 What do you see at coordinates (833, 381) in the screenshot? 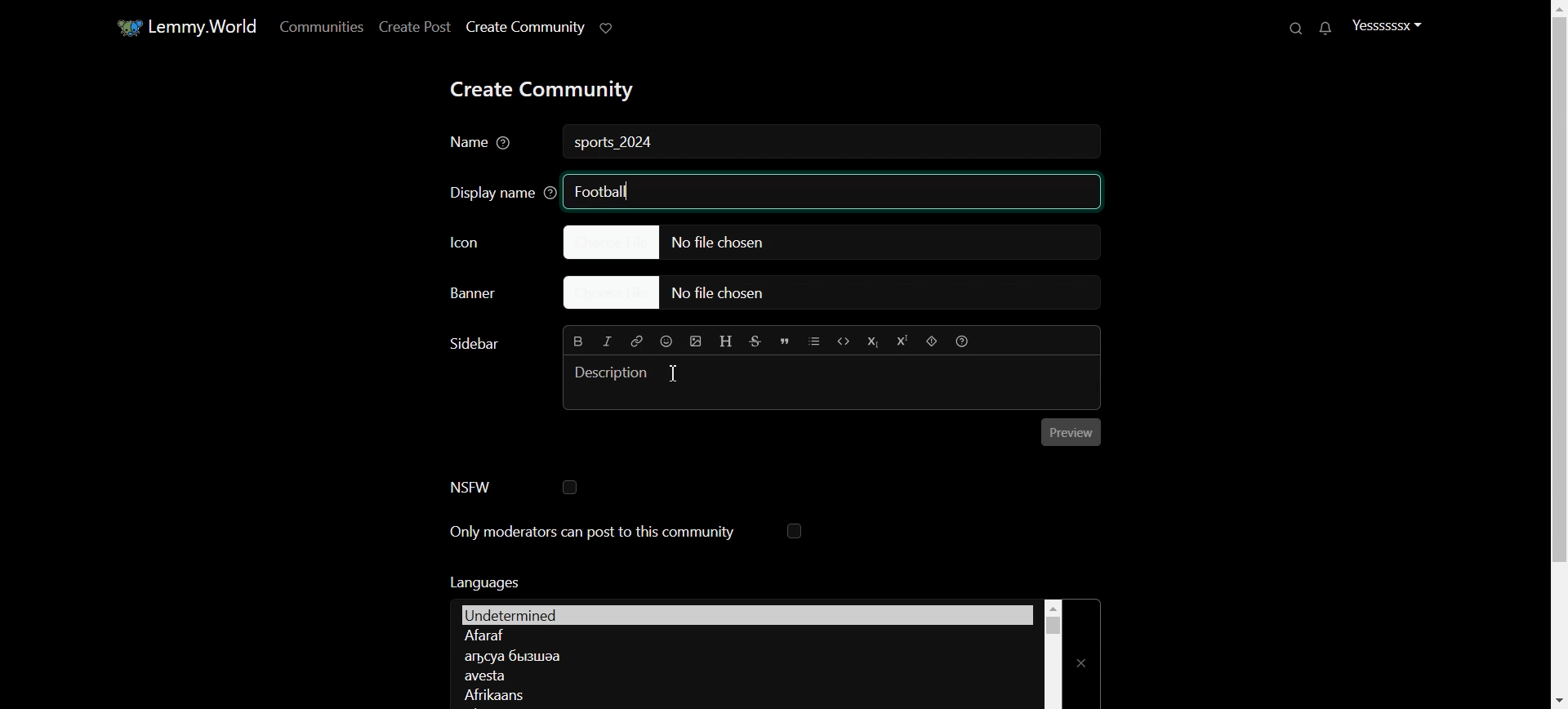
I see `Typing window` at bounding box center [833, 381].